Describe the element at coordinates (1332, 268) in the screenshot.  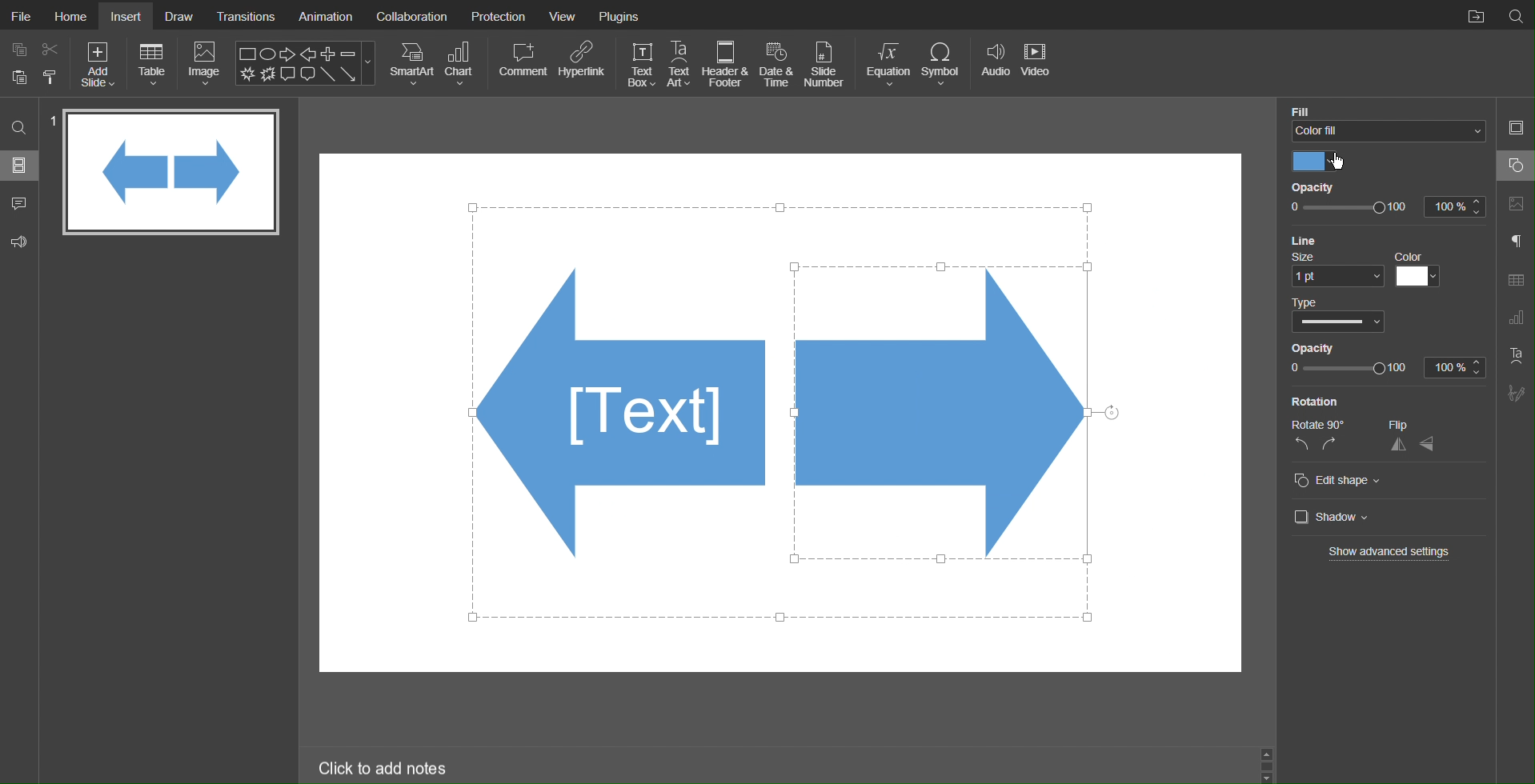
I see `size` at that location.